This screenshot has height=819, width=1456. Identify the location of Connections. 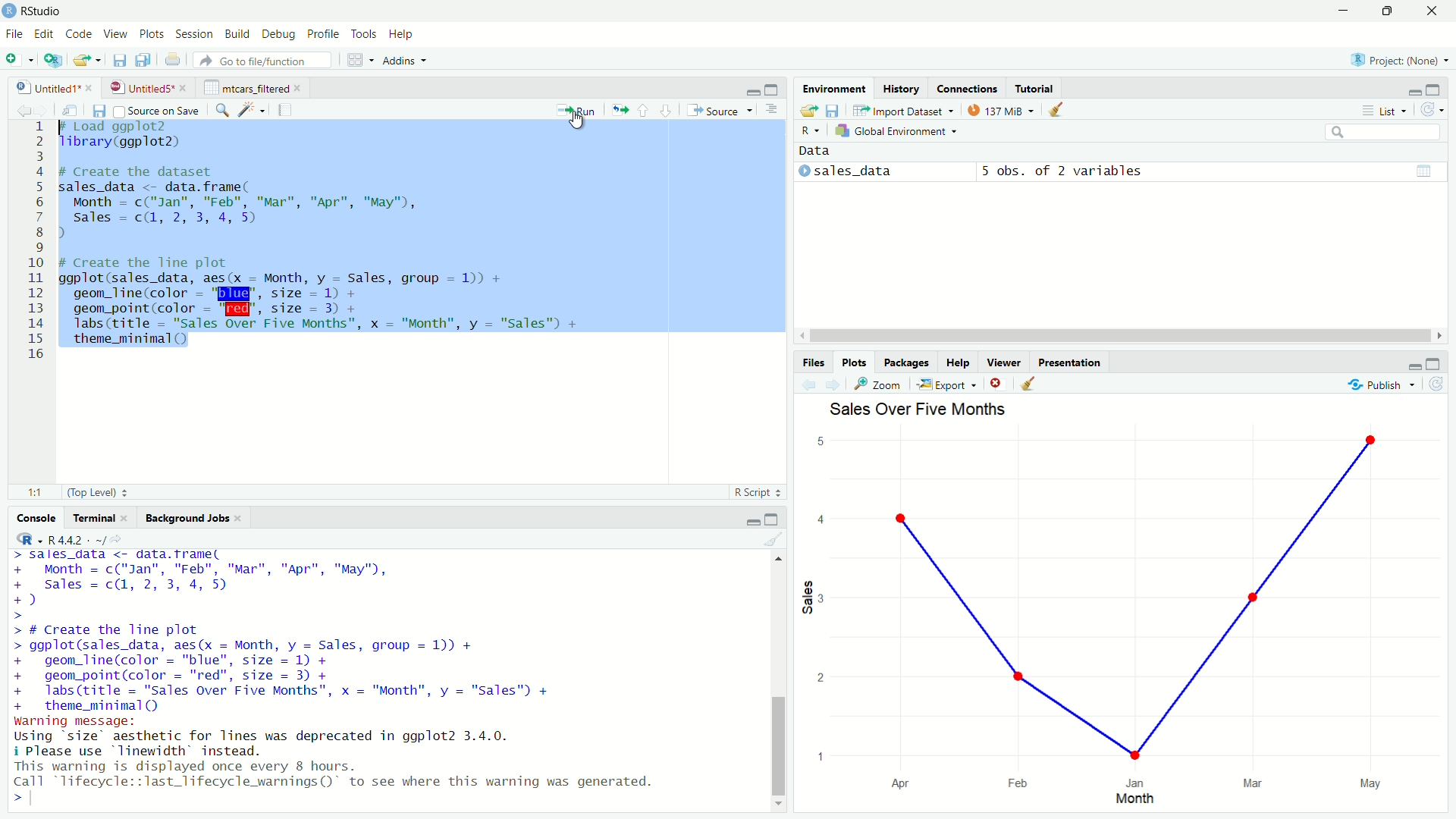
(968, 89).